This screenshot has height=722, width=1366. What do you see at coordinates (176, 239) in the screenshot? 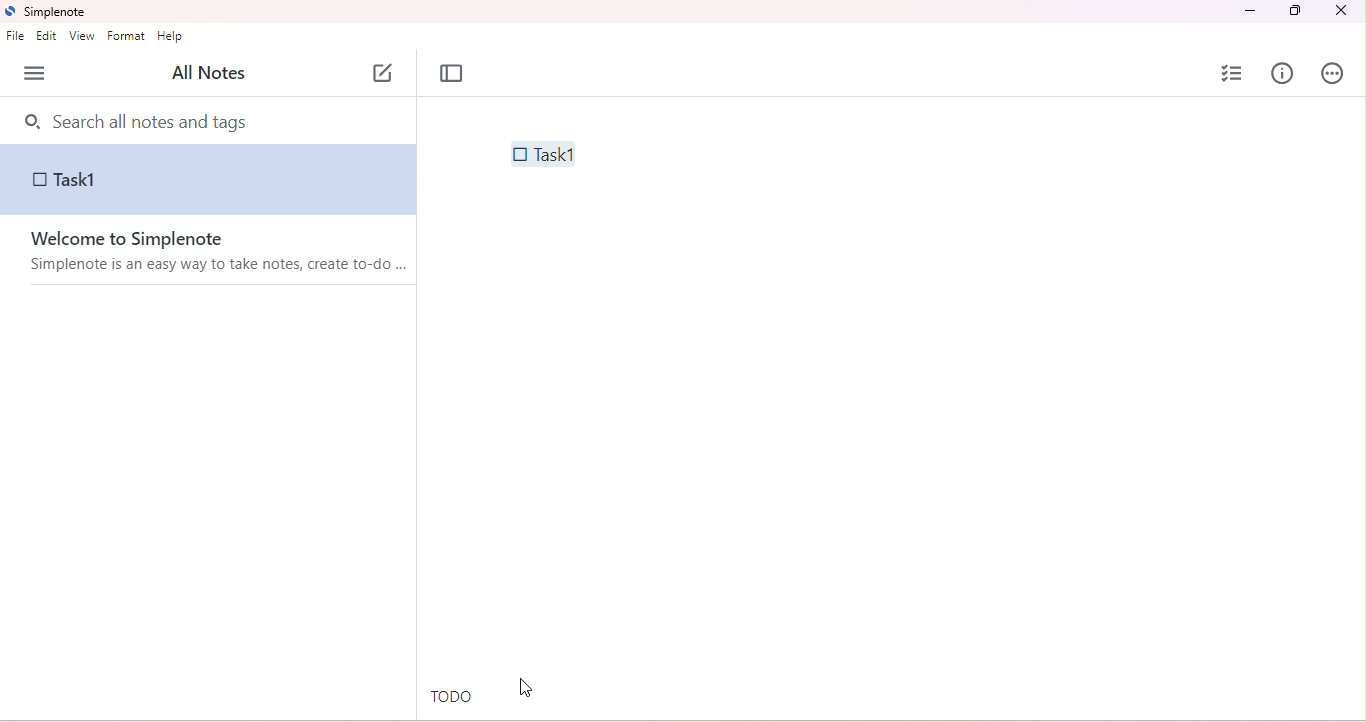
I see `welcome to simplenote` at bounding box center [176, 239].